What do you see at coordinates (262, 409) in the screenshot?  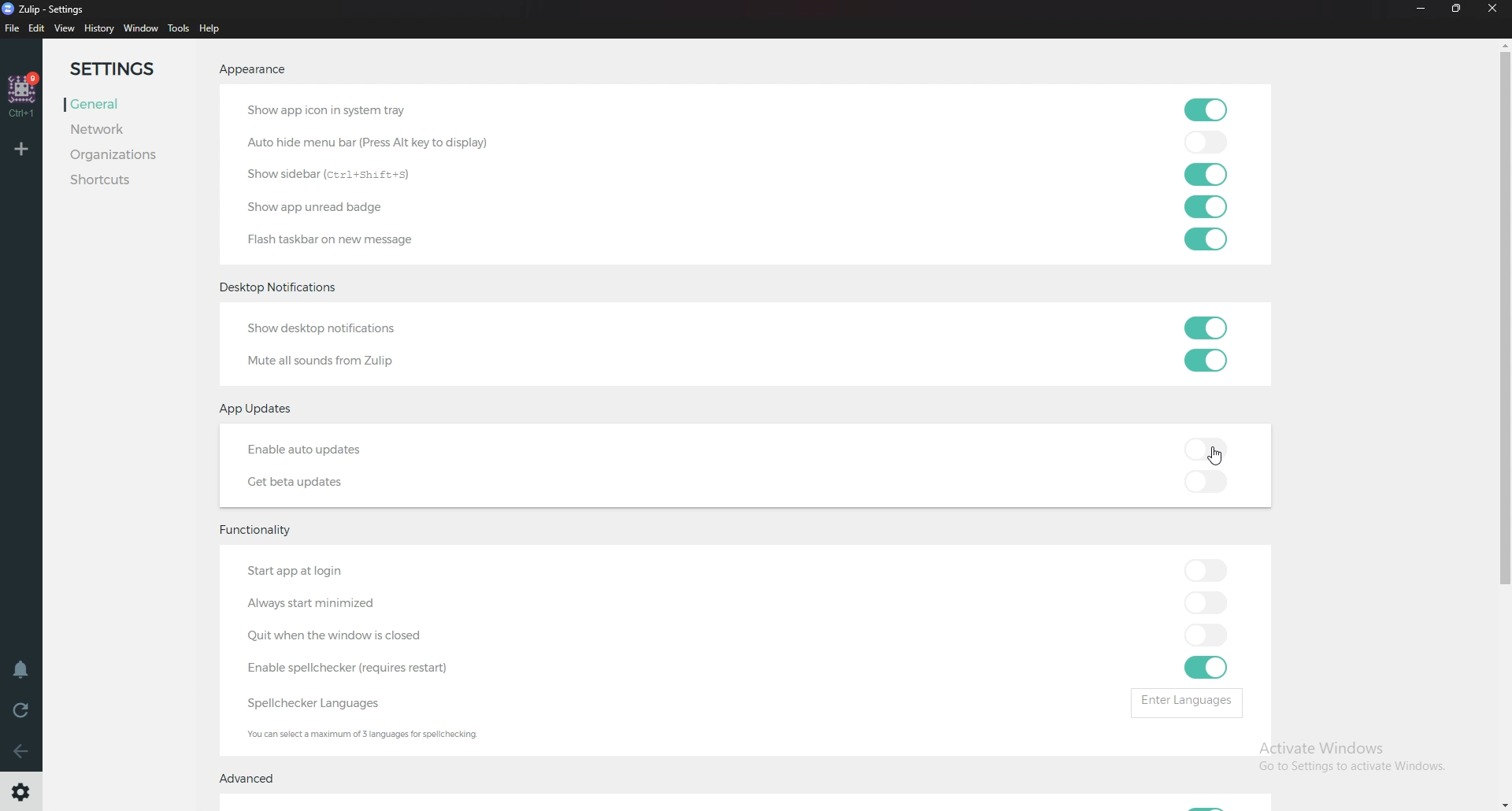 I see `App updates` at bounding box center [262, 409].